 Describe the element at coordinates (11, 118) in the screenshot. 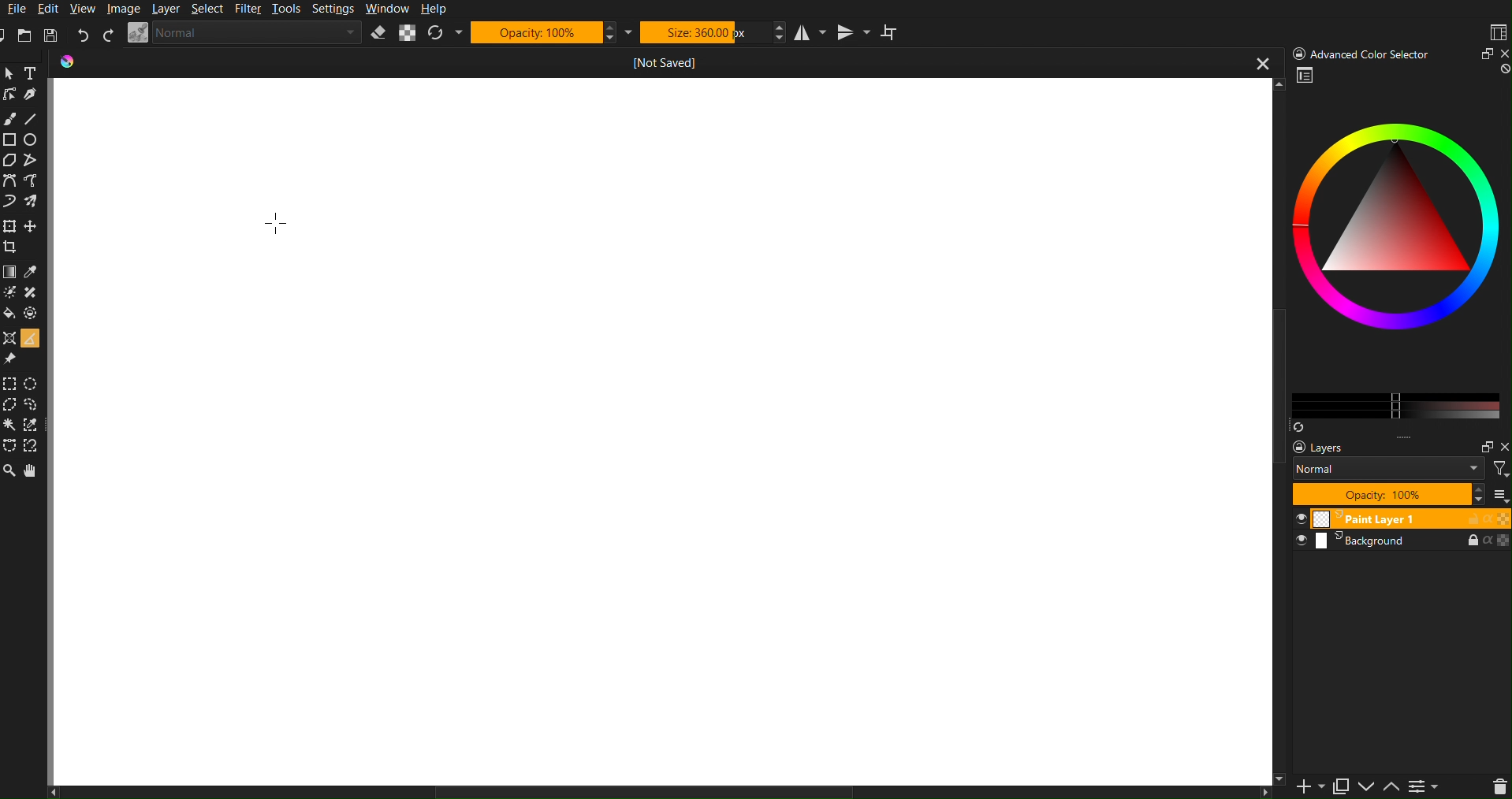

I see `Brush` at that location.